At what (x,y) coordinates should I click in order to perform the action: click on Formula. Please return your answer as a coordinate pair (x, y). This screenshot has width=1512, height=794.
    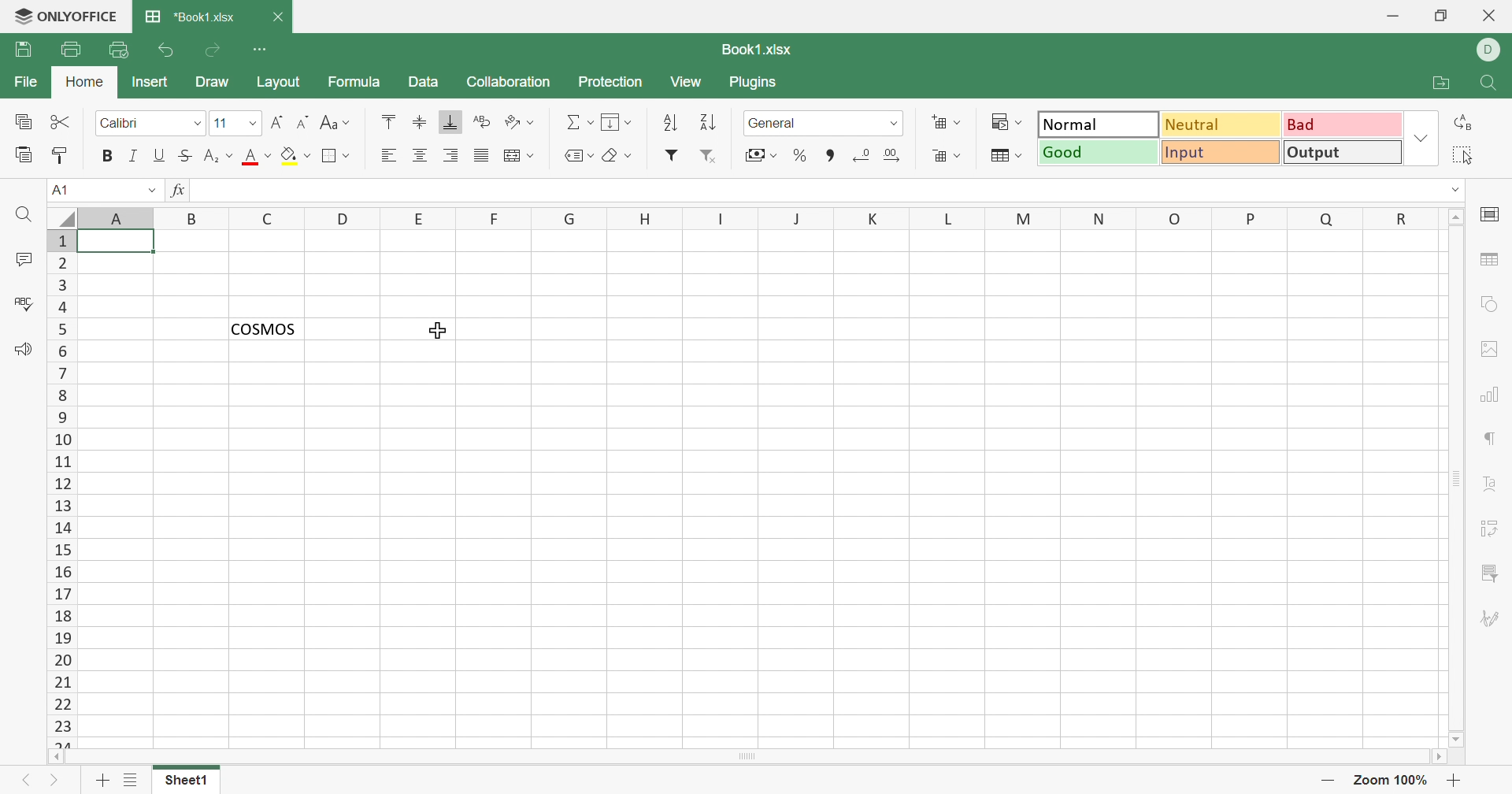
    Looking at the image, I should click on (353, 82).